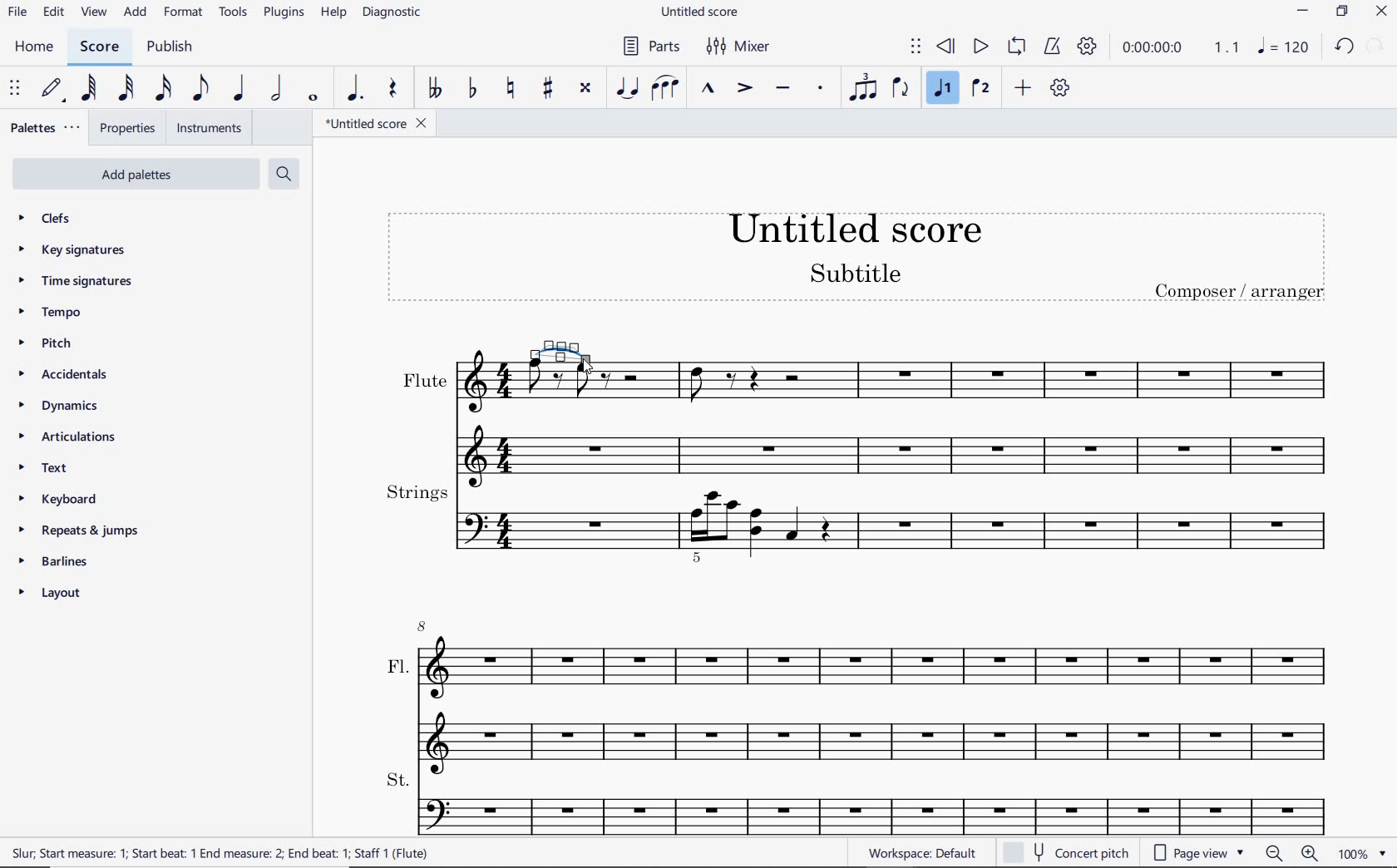 This screenshot has height=868, width=1397. What do you see at coordinates (52, 344) in the screenshot?
I see `pitch` at bounding box center [52, 344].